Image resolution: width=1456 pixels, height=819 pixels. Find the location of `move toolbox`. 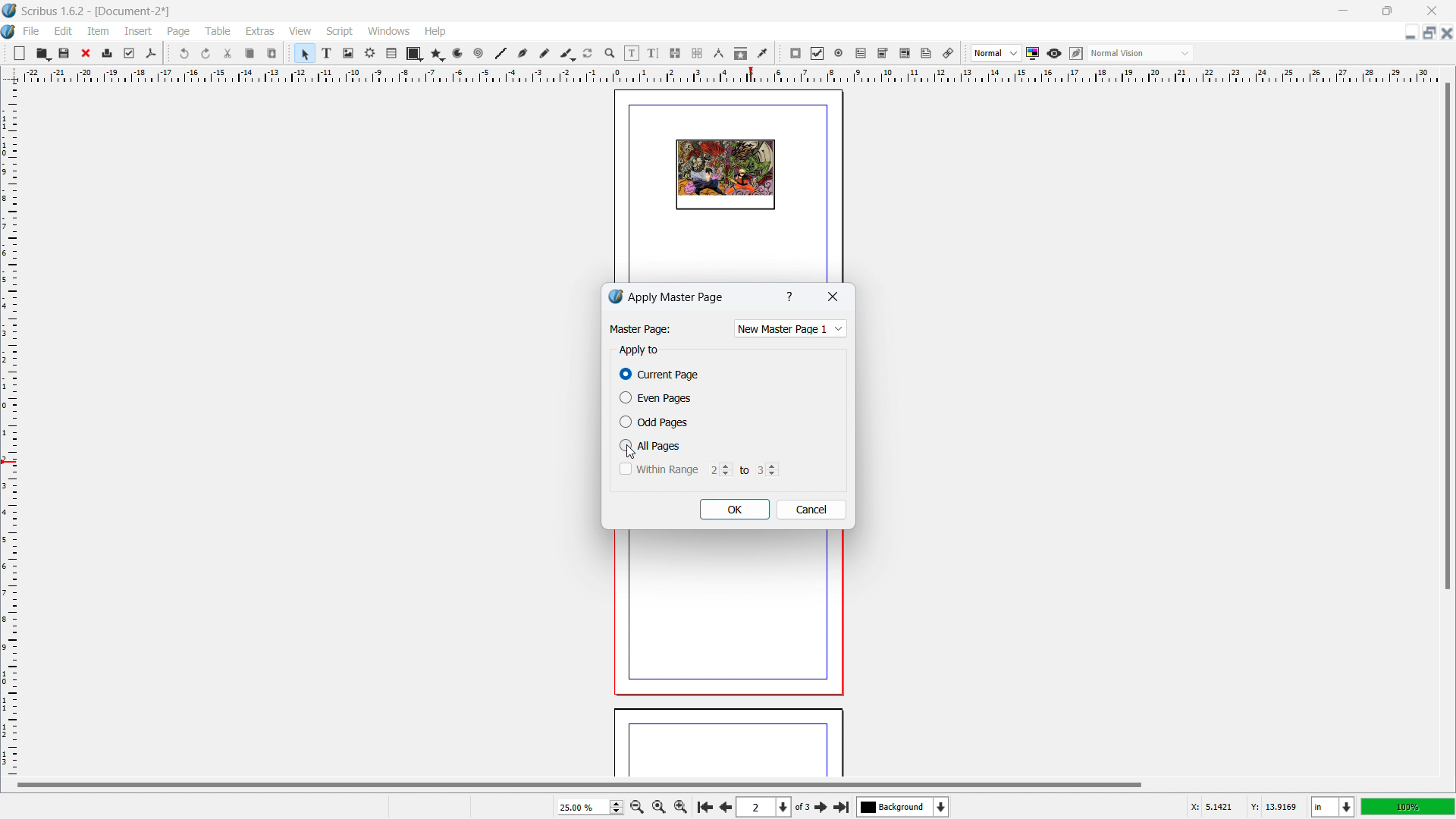

move toolbox is located at coordinates (290, 52).